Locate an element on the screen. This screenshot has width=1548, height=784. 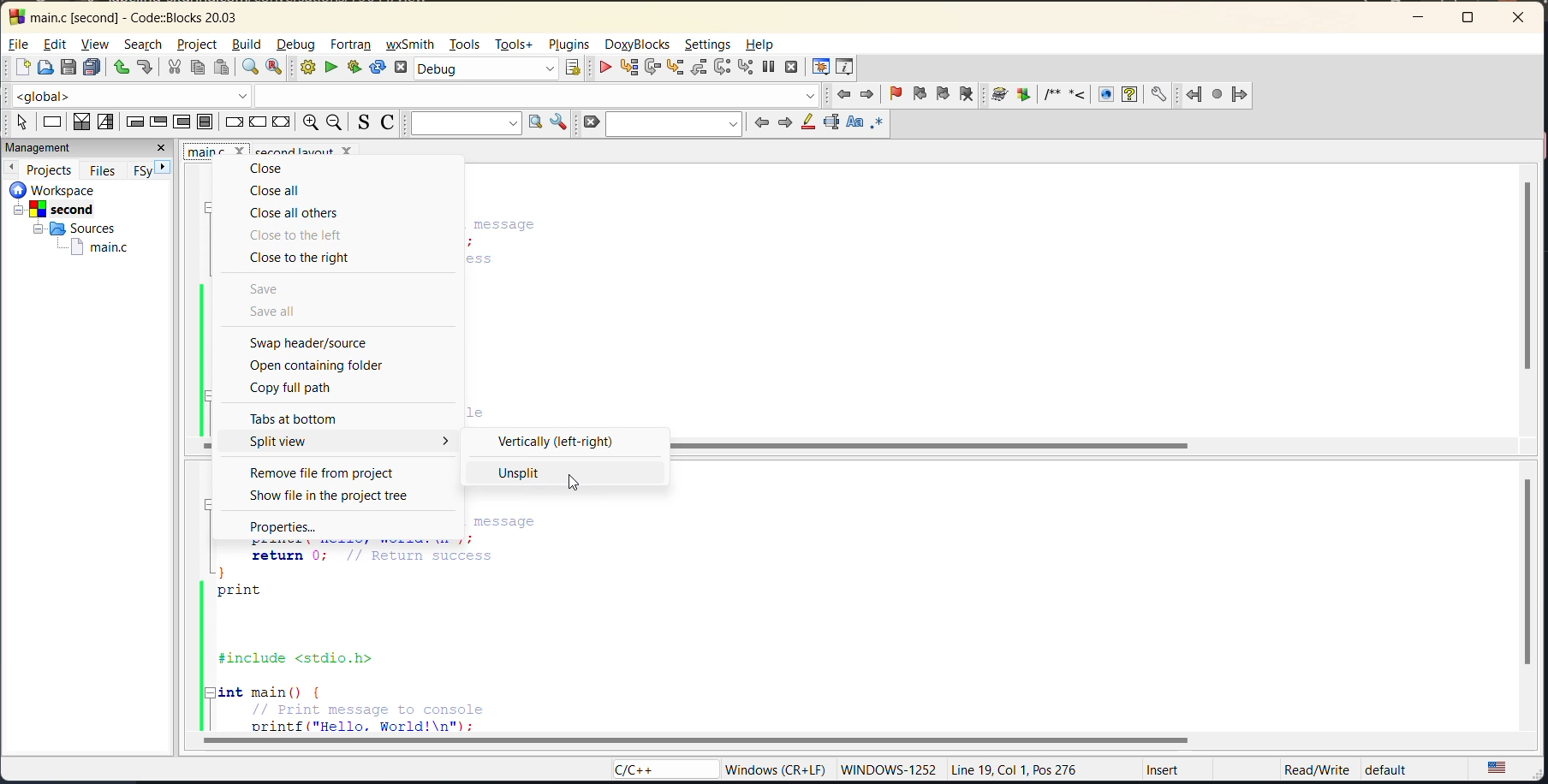
management is located at coordinates (44, 146).